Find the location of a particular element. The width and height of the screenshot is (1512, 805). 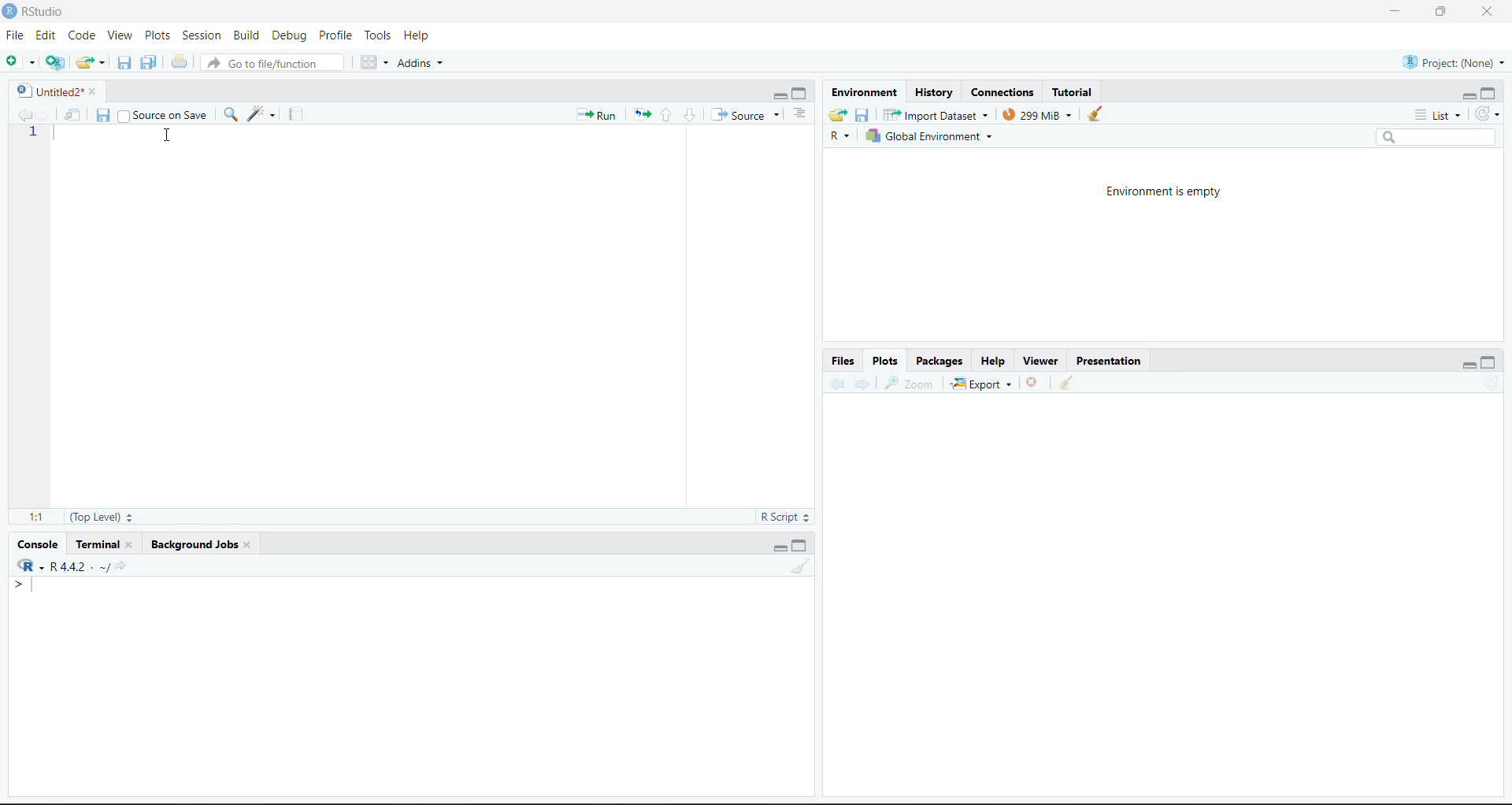

Plots is located at coordinates (888, 360).